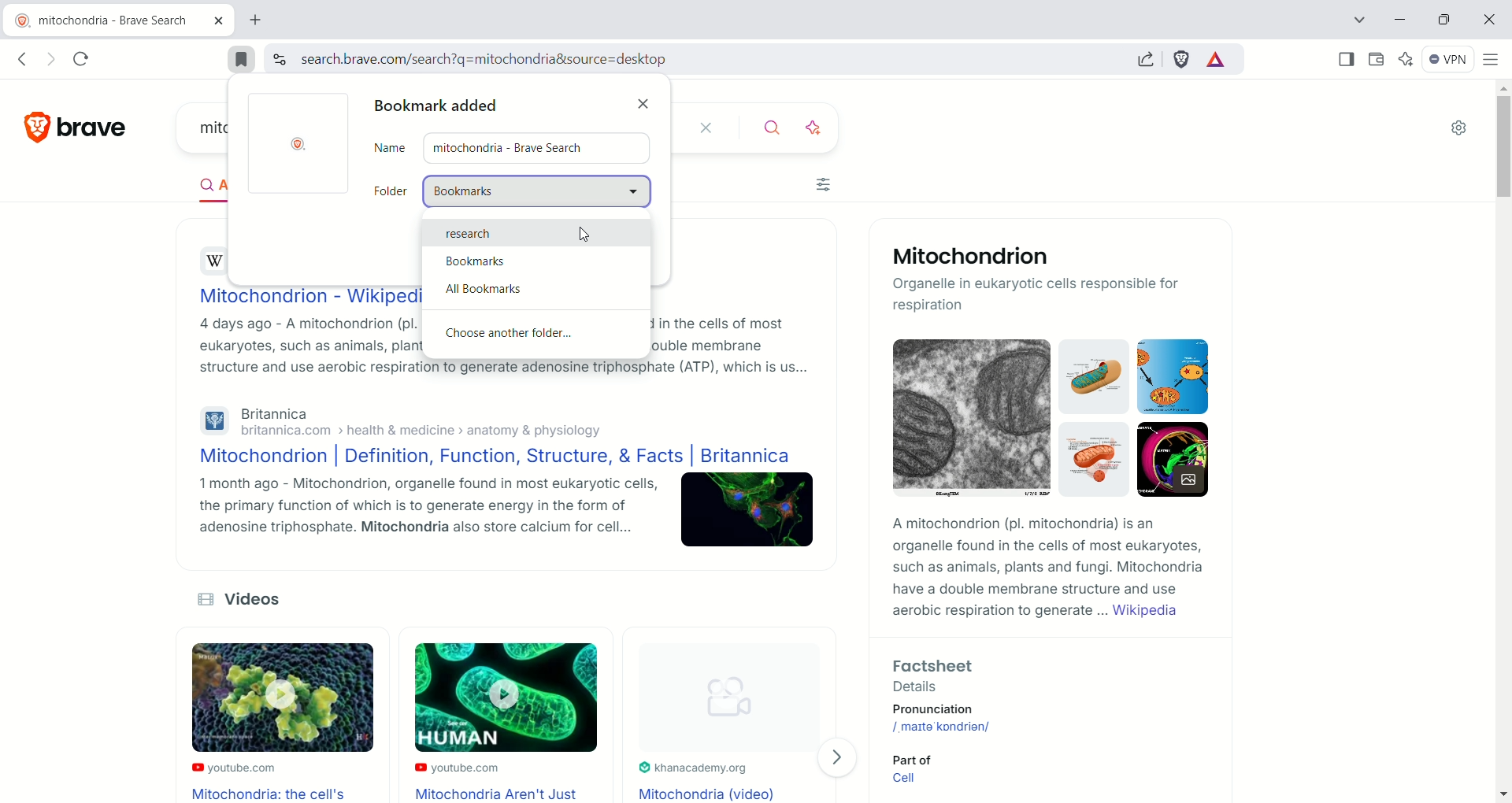 The width and height of the screenshot is (1512, 803). I want to click on all bookmarks, so click(535, 287).